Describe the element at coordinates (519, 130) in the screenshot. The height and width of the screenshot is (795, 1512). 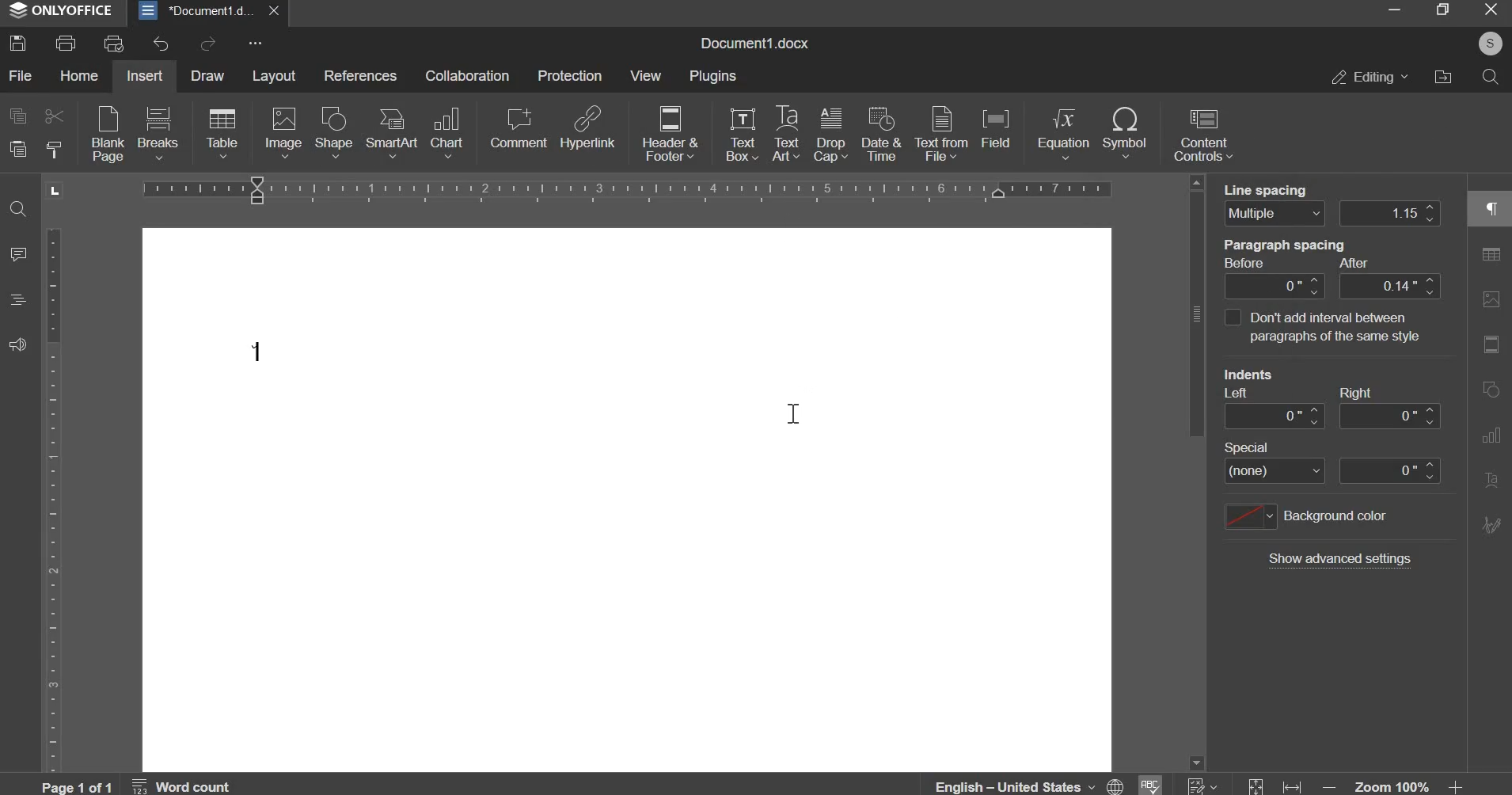
I see `comment` at that location.